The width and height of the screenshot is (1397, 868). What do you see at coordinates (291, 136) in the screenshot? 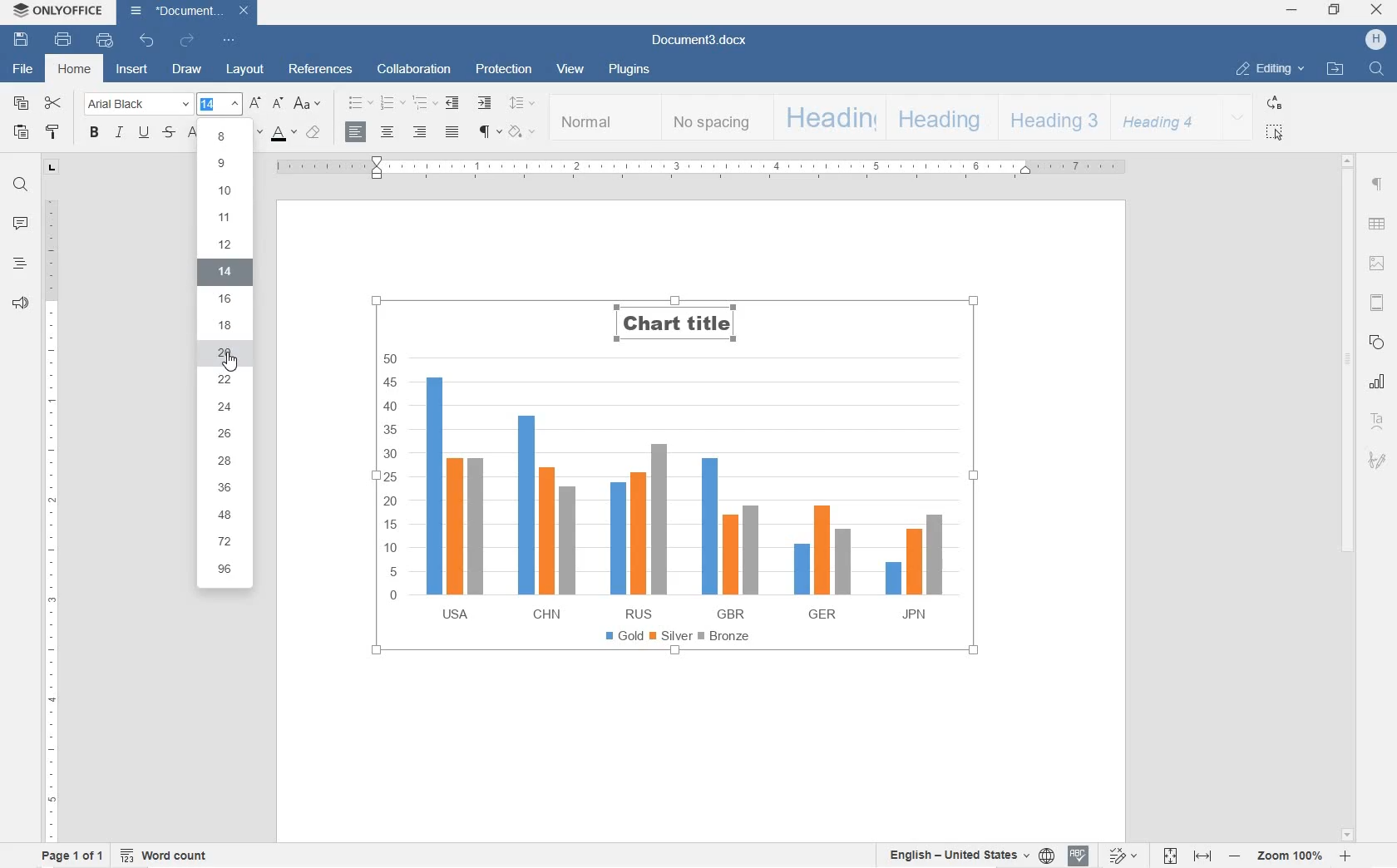
I see `FONT SIZE` at bounding box center [291, 136].